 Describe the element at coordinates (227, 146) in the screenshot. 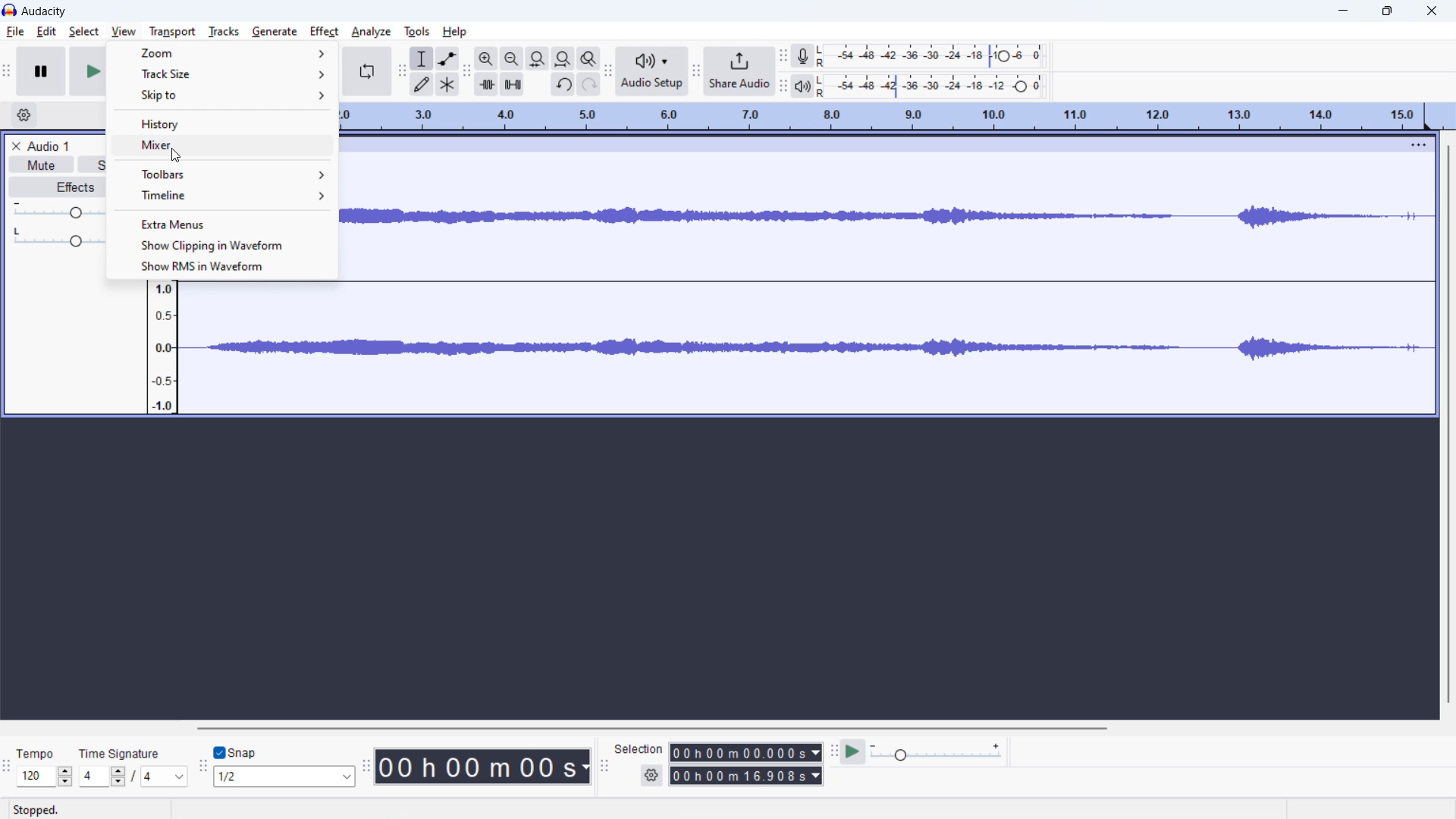

I see `mixer` at that location.